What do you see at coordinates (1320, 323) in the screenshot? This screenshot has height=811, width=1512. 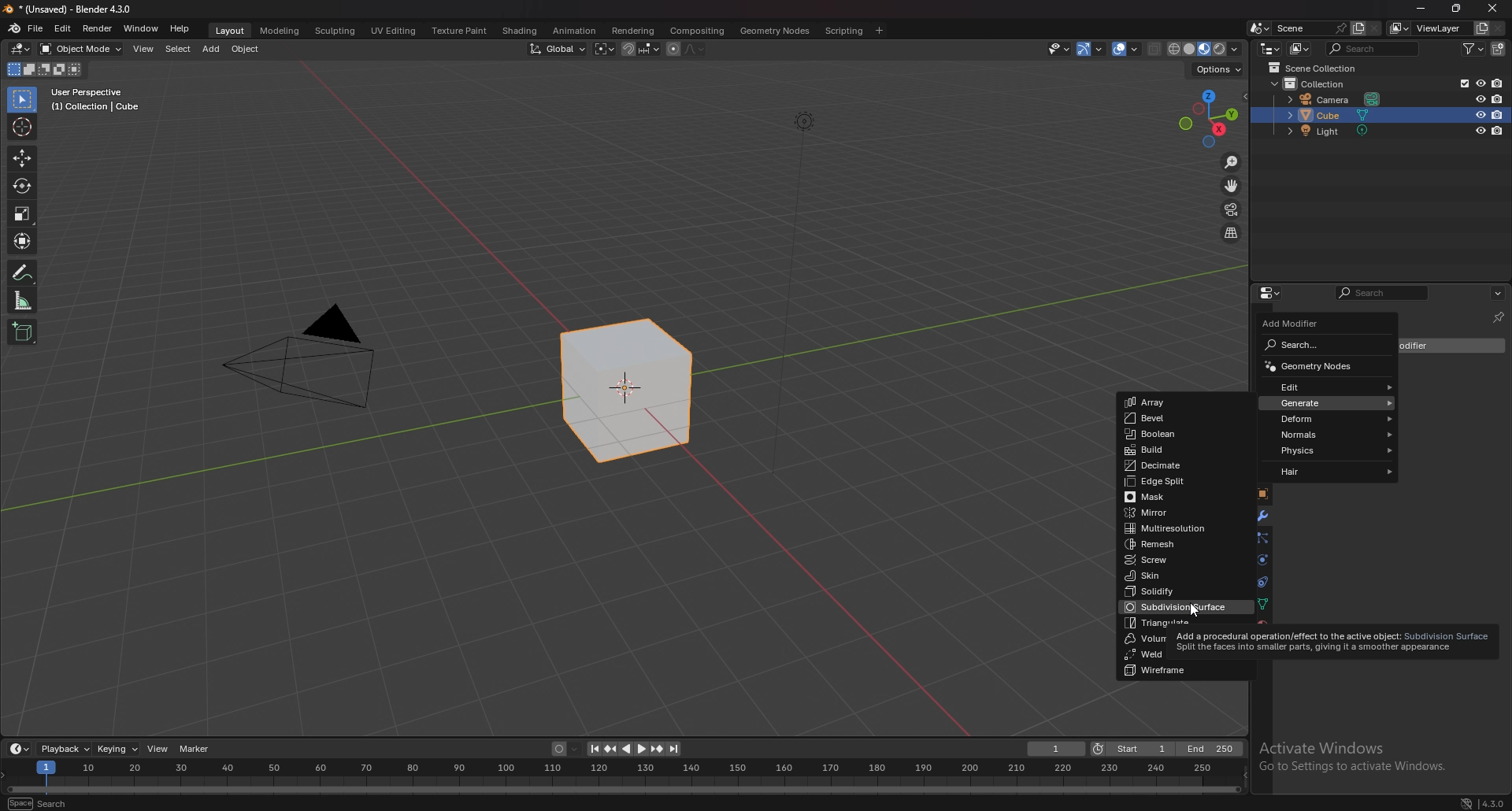 I see `add modifier` at bounding box center [1320, 323].